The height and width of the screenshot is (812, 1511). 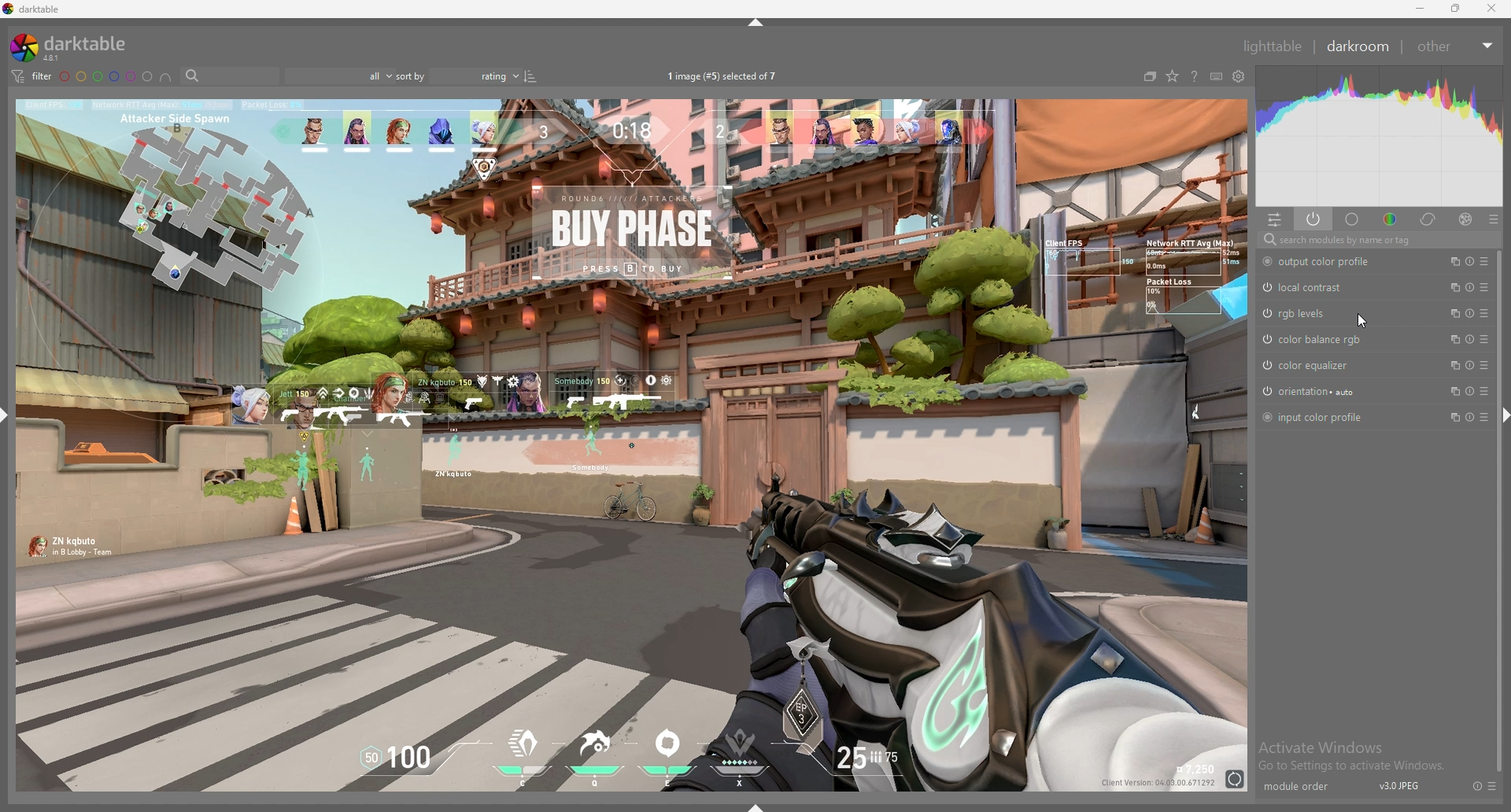 I want to click on presets, so click(x=1493, y=219).